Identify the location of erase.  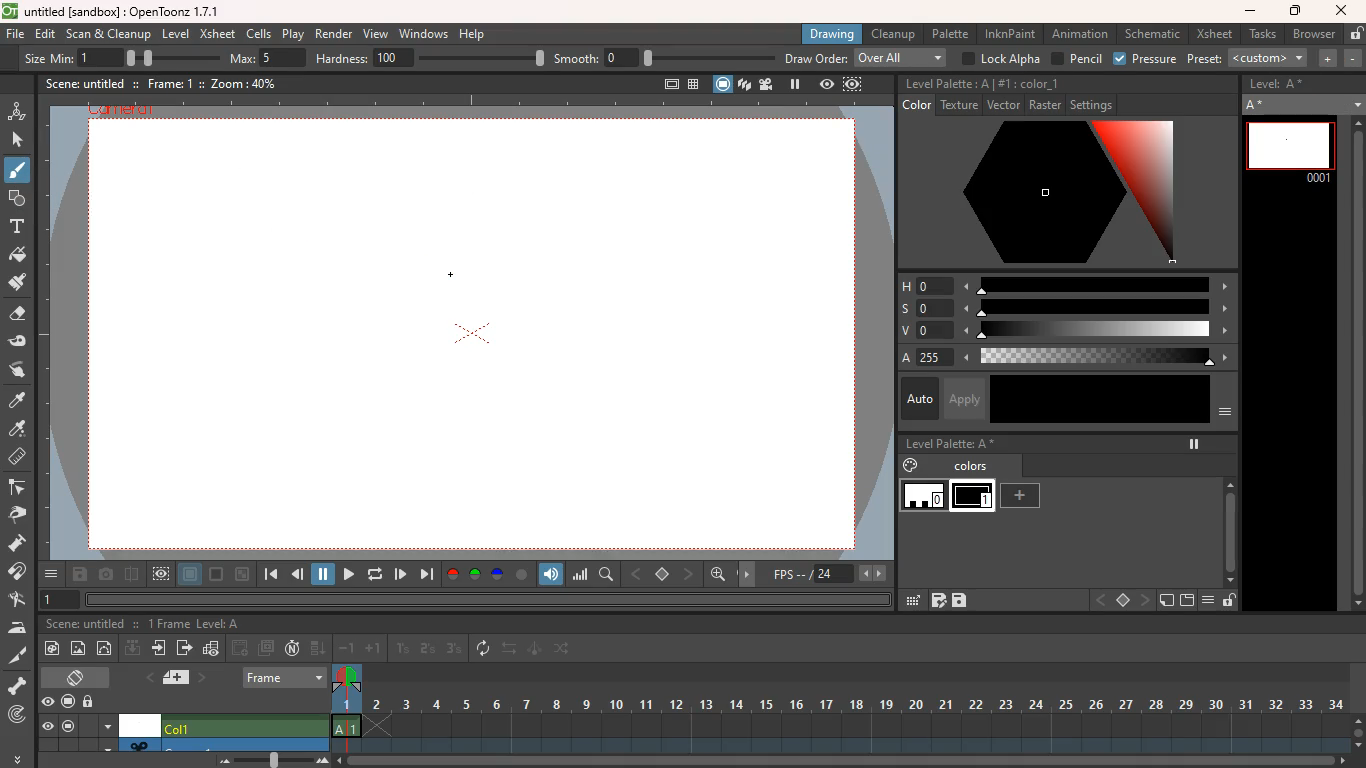
(19, 318).